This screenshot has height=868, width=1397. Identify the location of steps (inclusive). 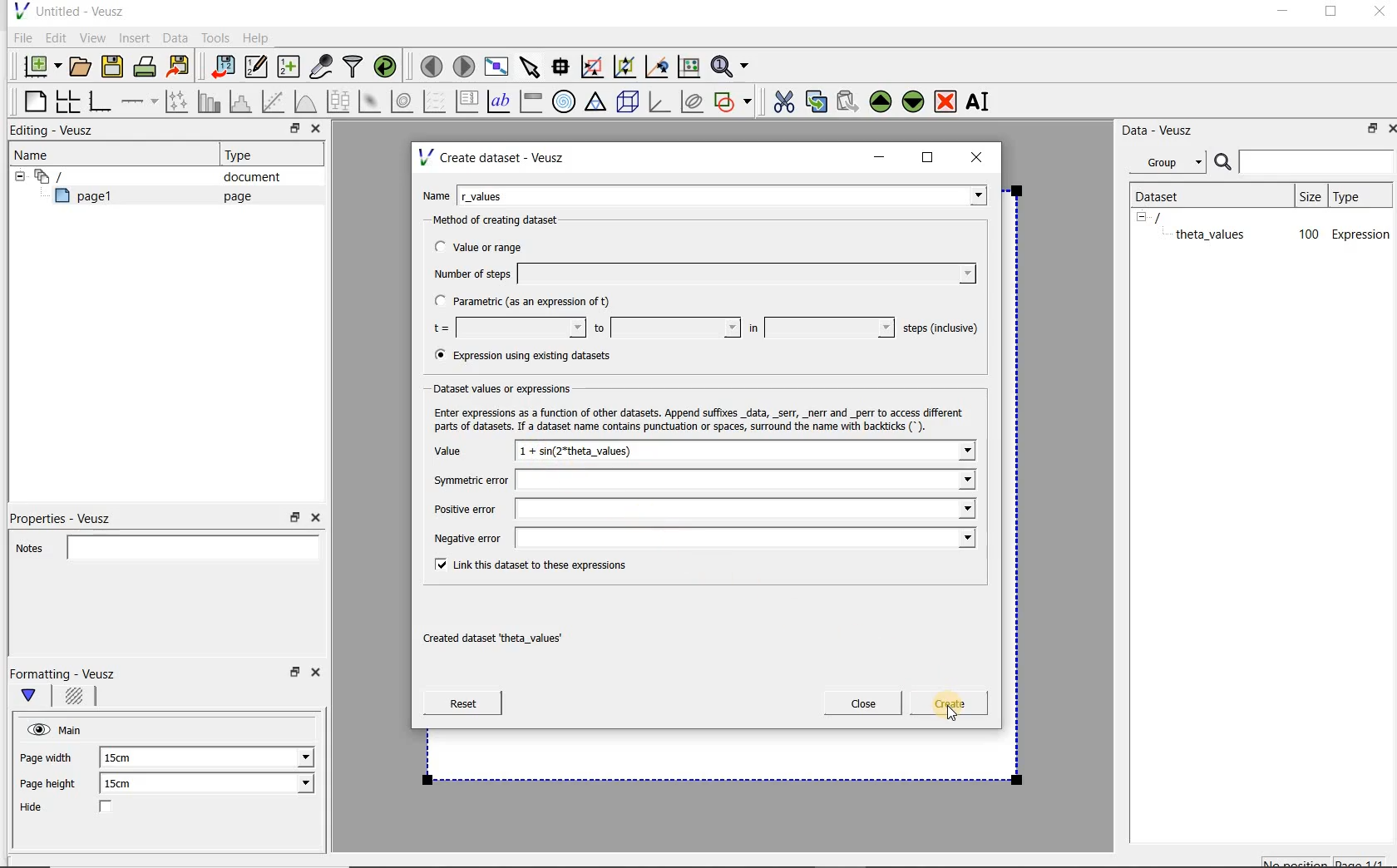
(941, 329).